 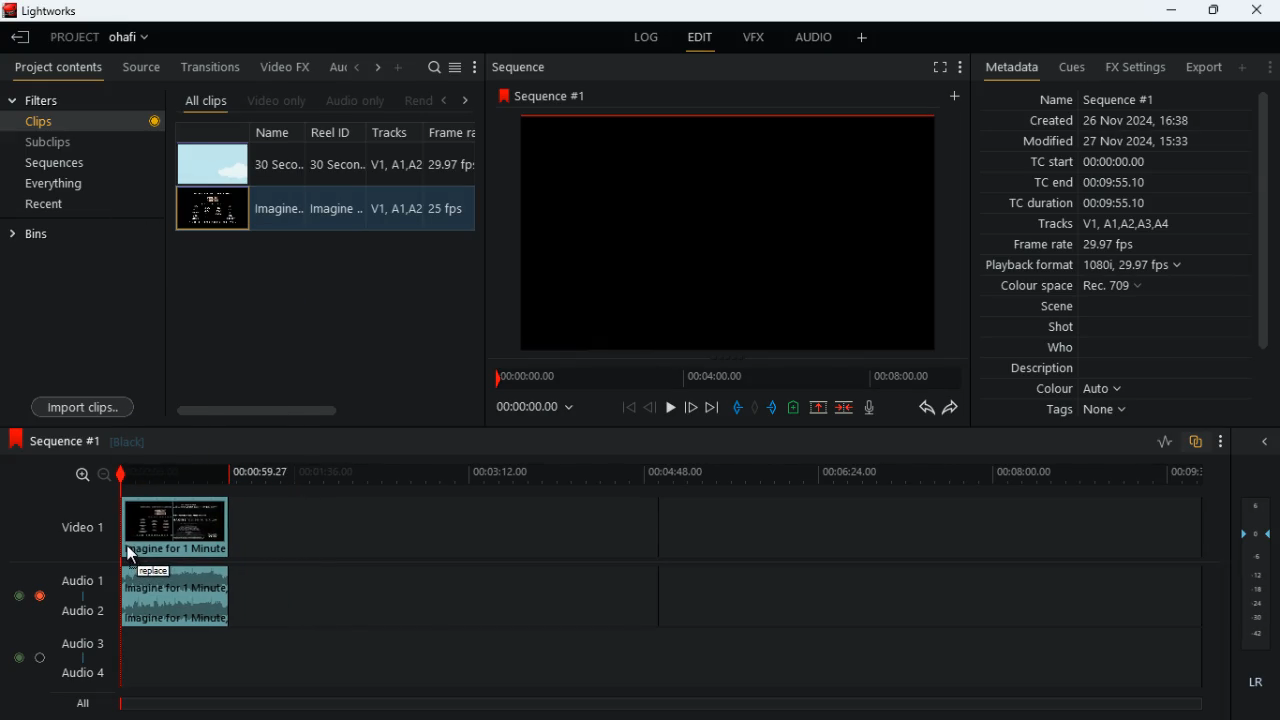 What do you see at coordinates (278, 99) in the screenshot?
I see `video only` at bounding box center [278, 99].